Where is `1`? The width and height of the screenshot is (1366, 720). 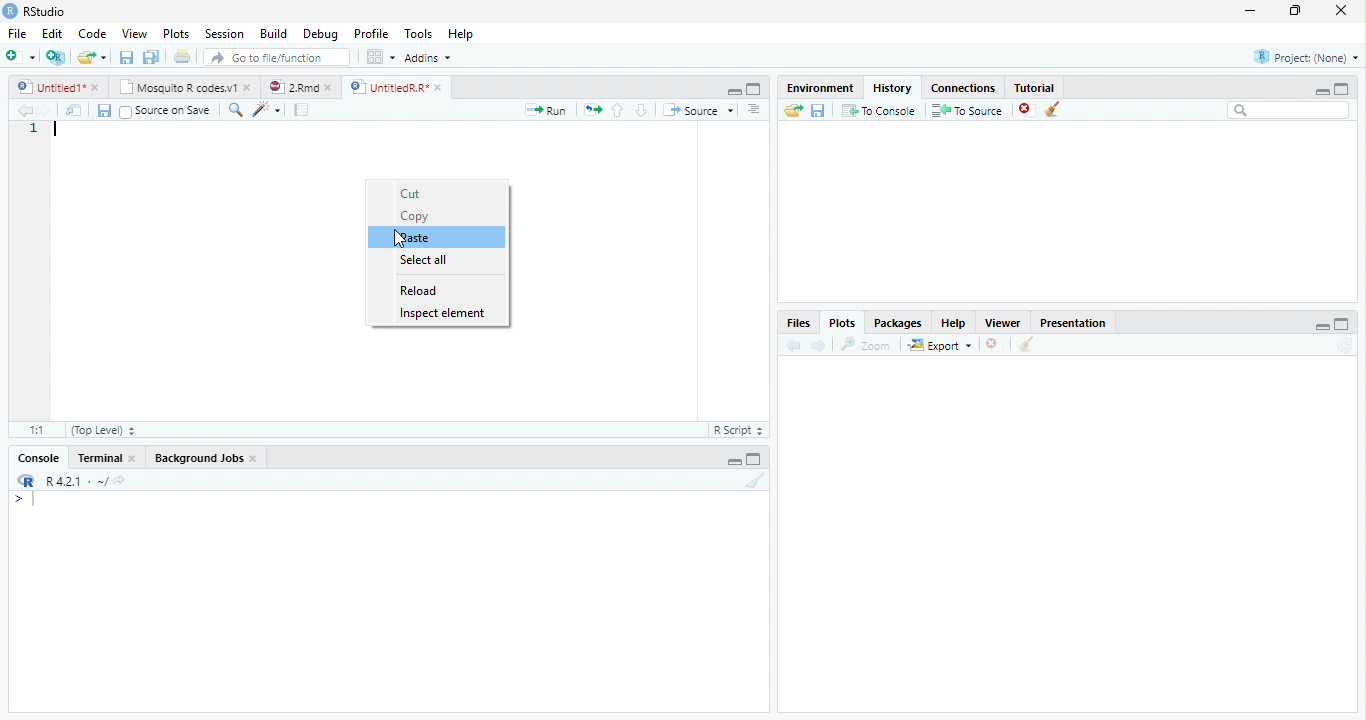
1 is located at coordinates (32, 129).